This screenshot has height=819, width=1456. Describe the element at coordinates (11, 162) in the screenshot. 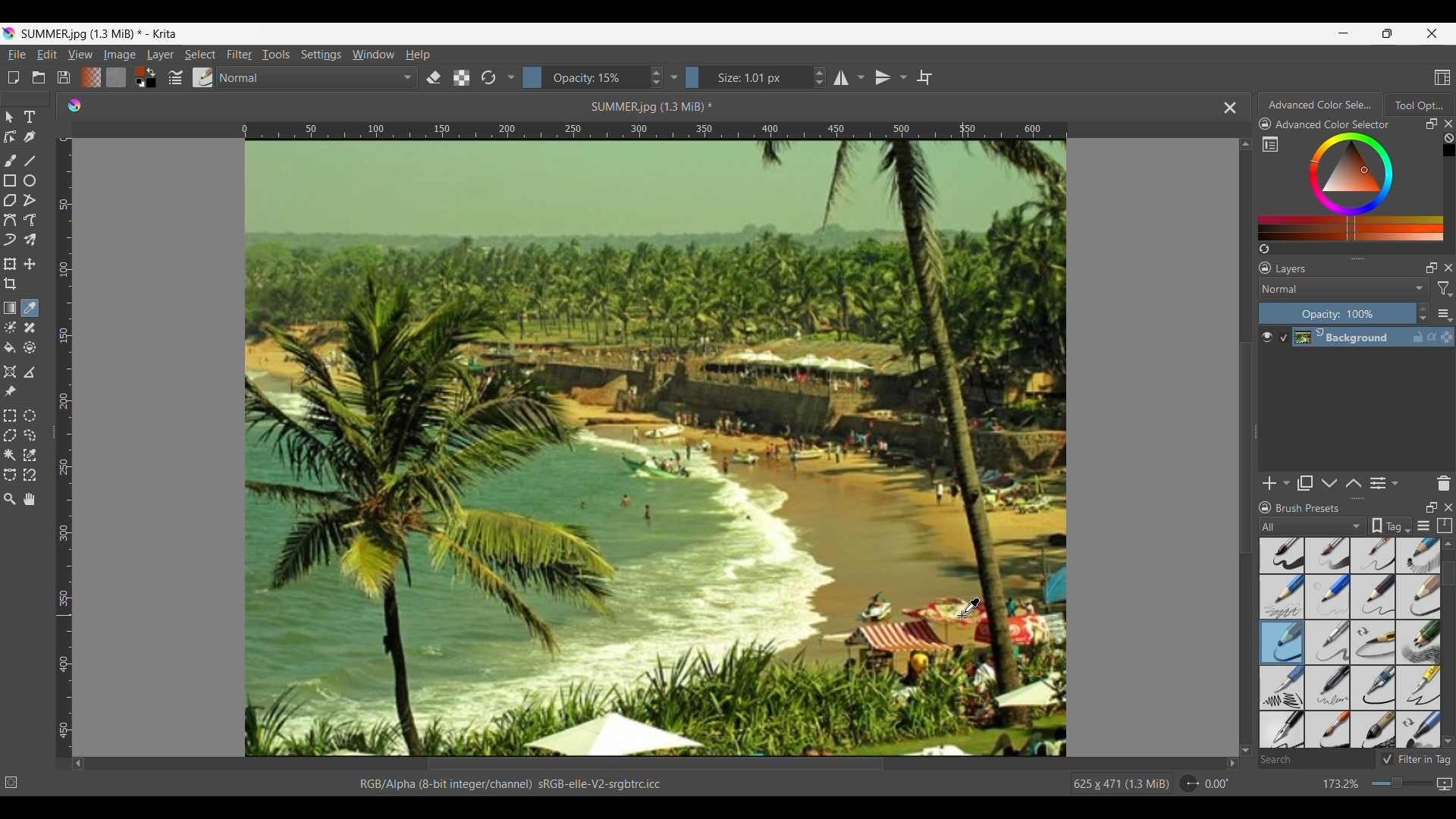

I see `Freehand brush tool` at that location.